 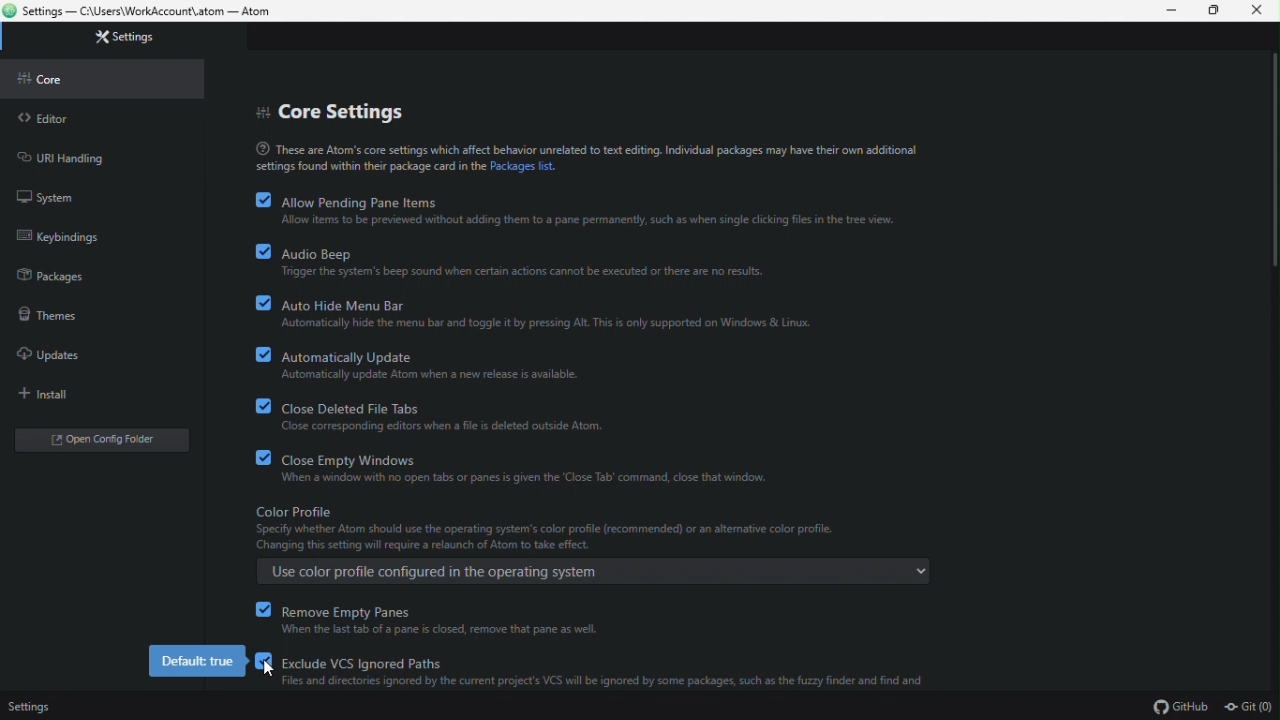 I want to click on checkbox, so click(x=255, y=457).